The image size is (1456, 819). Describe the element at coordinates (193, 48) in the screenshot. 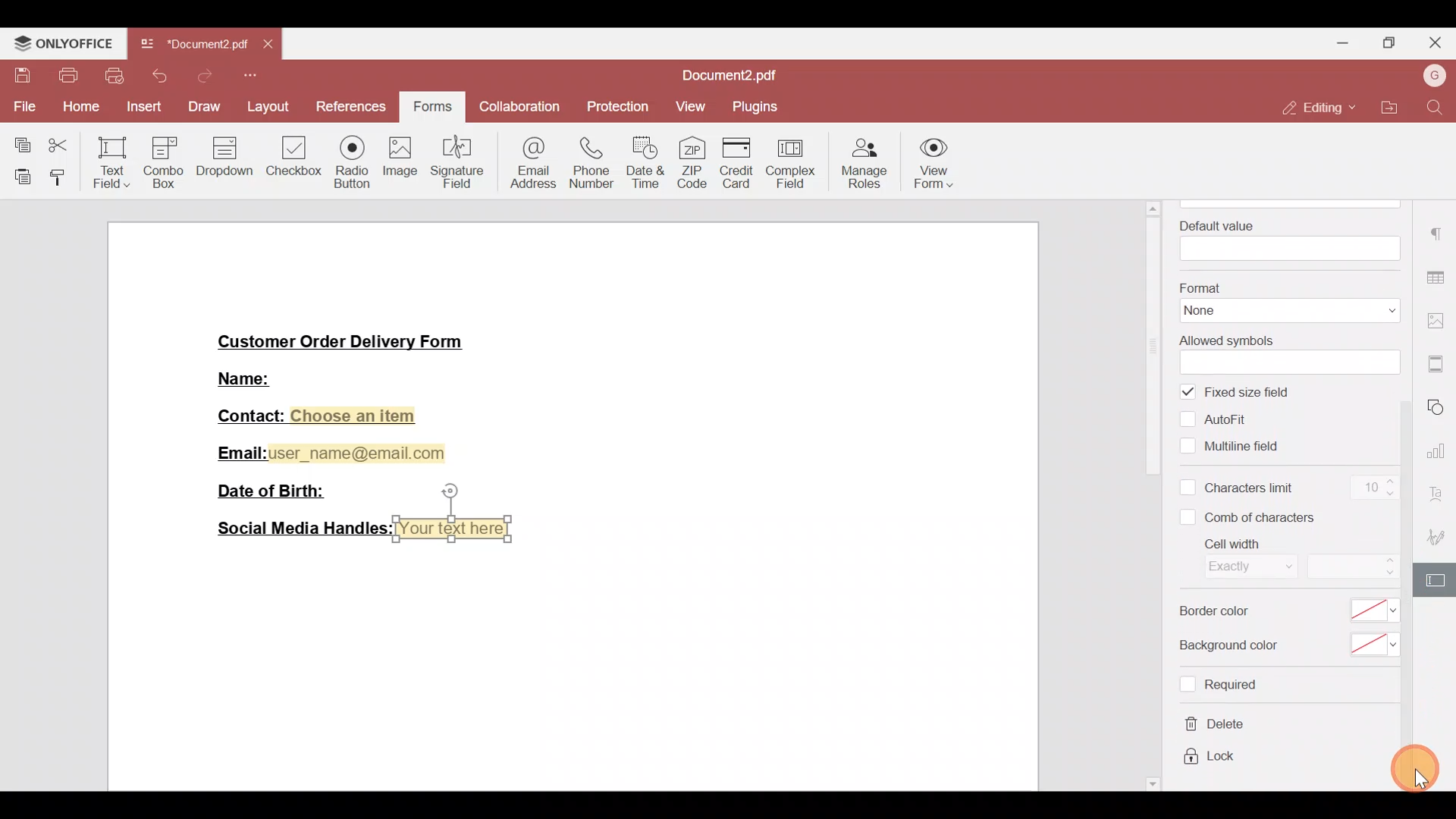

I see `Document2.pdf` at that location.